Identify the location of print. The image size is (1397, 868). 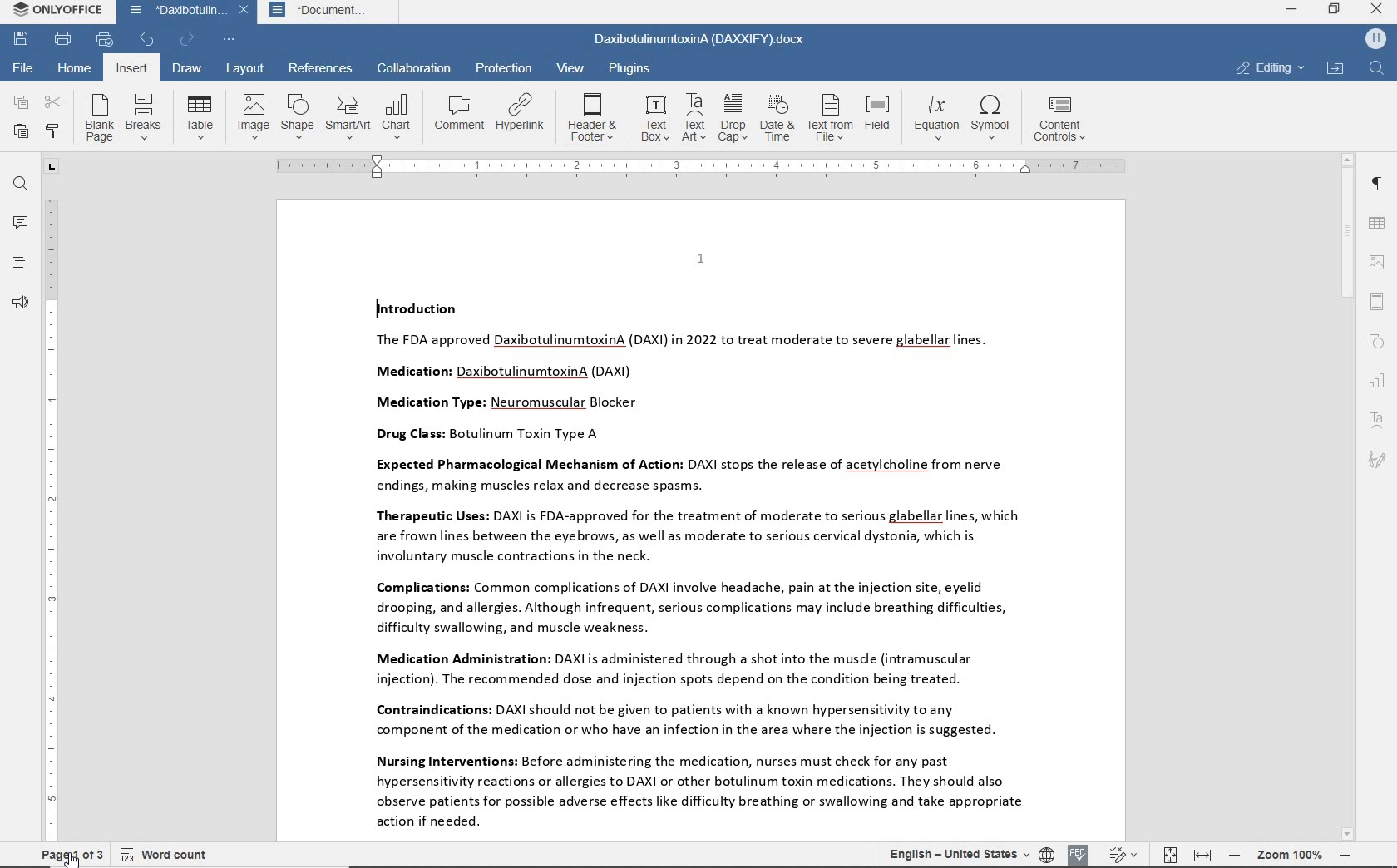
(64, 39).